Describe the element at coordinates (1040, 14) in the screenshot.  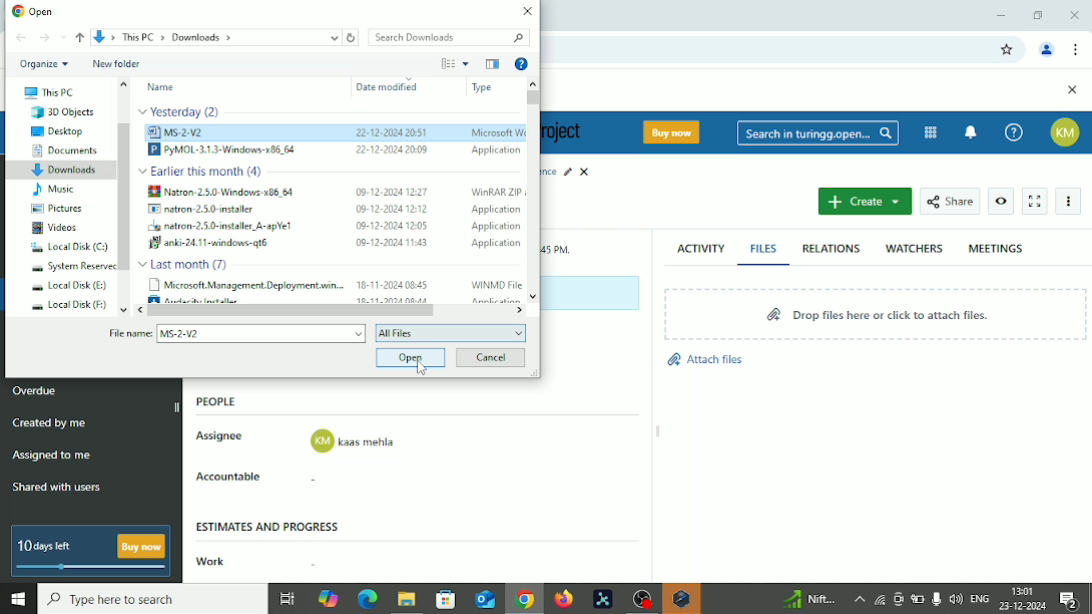
I see `Restore down` at that location.